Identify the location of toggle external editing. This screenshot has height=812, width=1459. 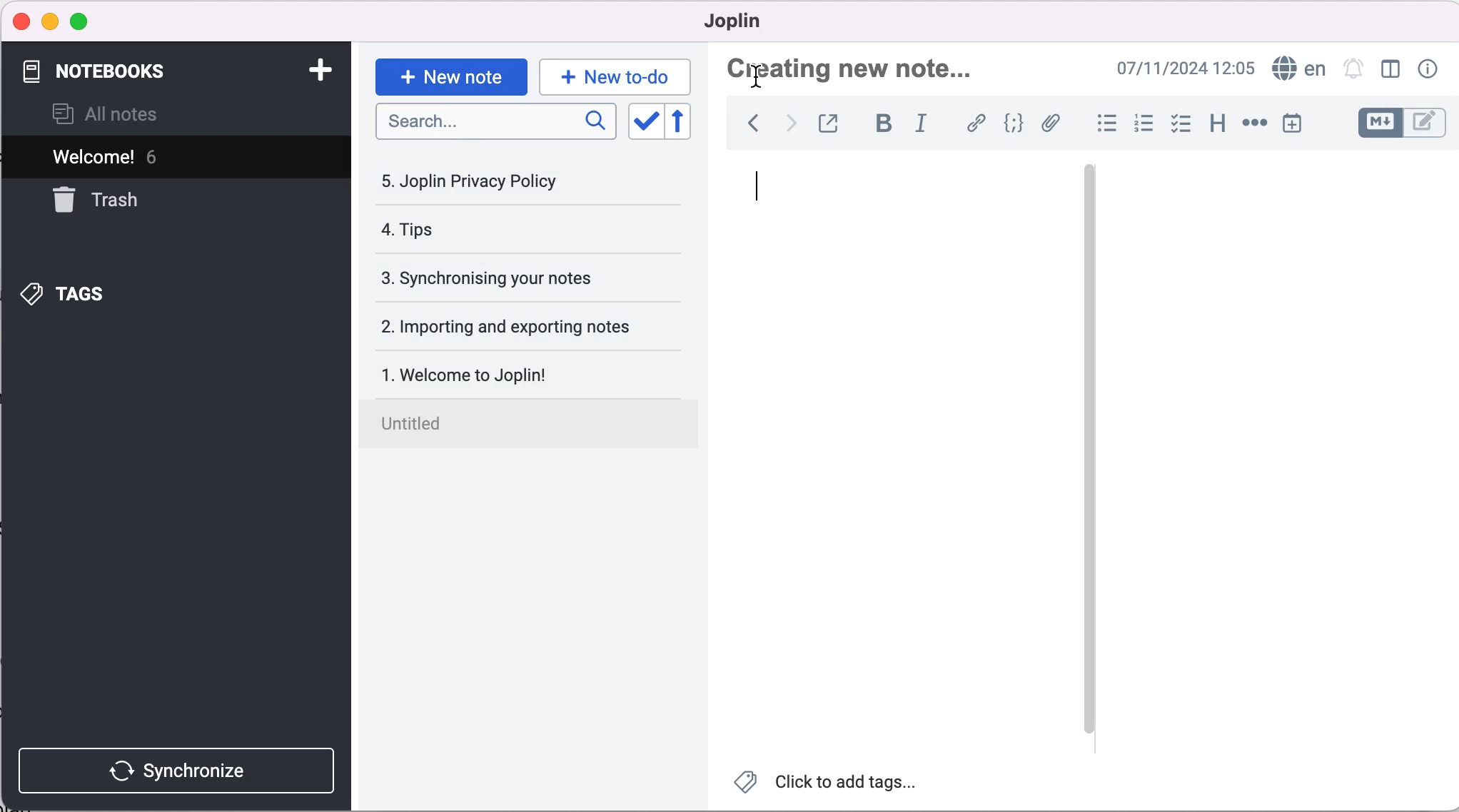
(832, 123).